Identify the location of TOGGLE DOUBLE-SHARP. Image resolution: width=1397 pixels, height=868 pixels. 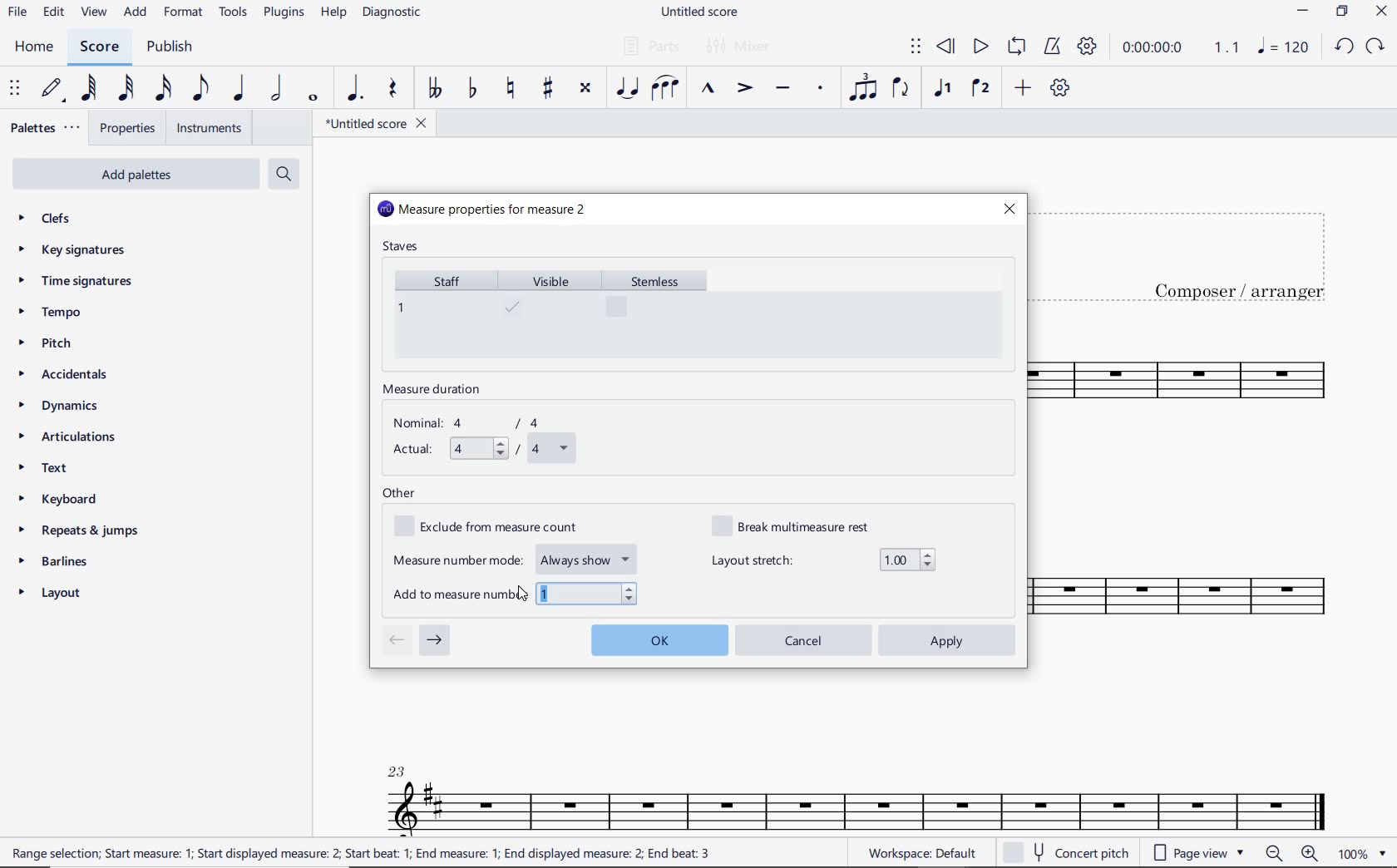
(585, 88).